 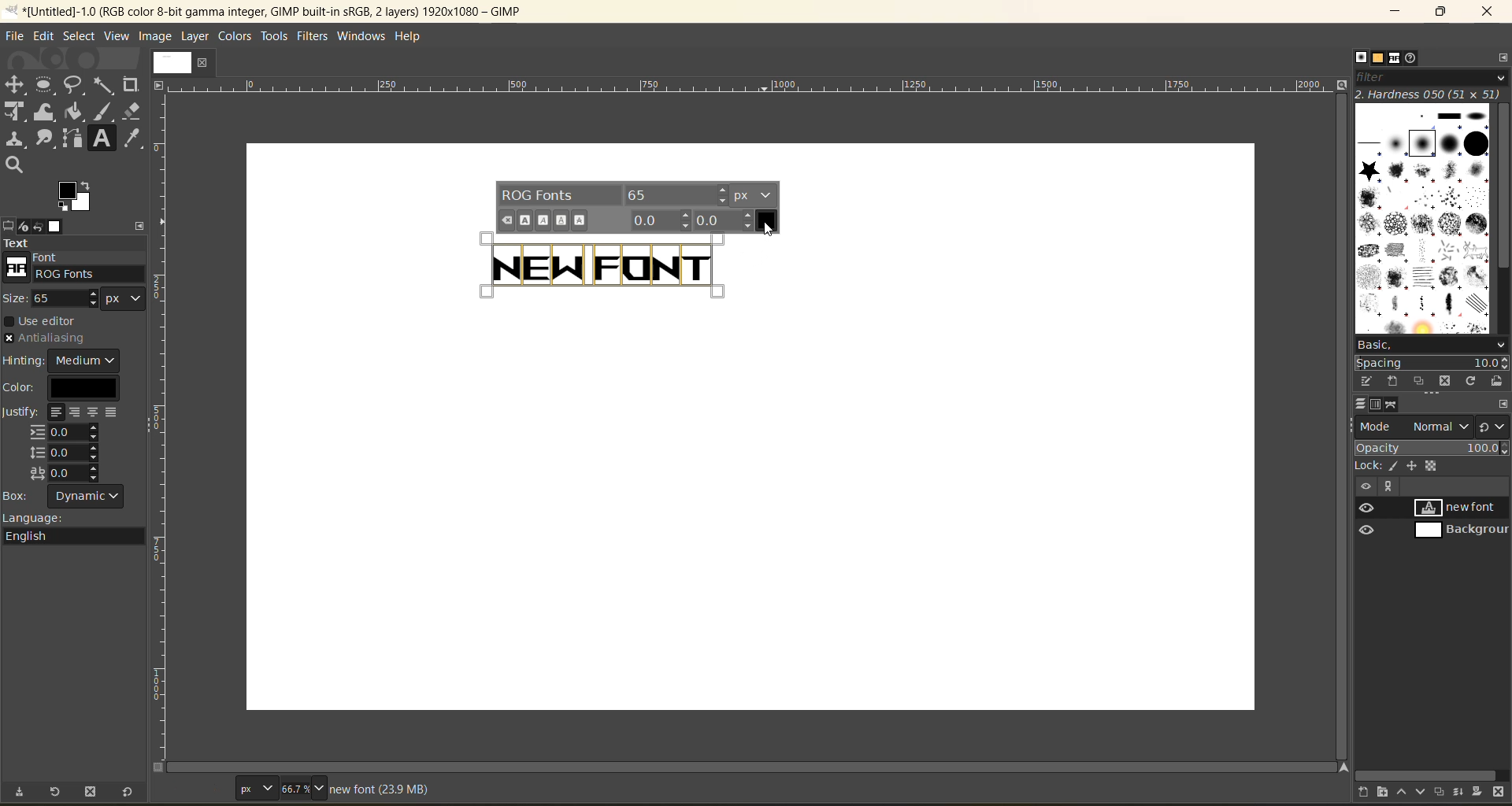 I want to click on reset, so click(x=132, y=790).